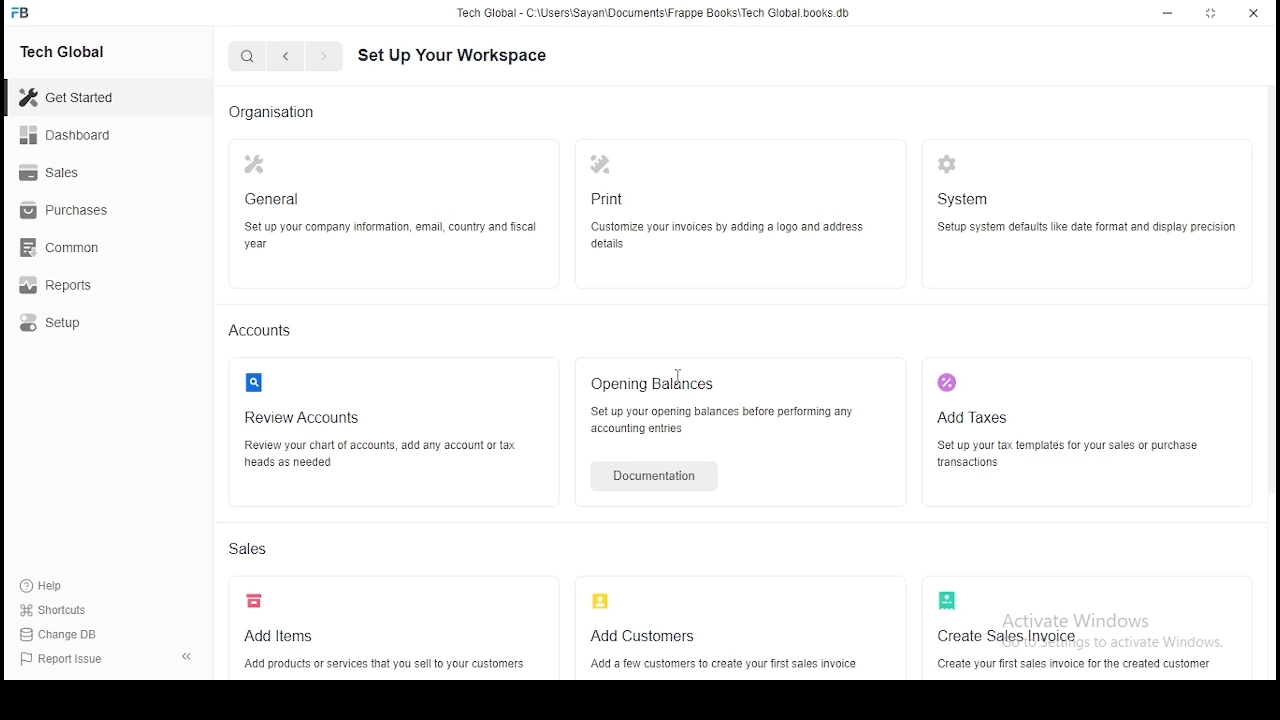 The image size is (1280, 720). I want to click on Opening Balances, so click(729, 404).